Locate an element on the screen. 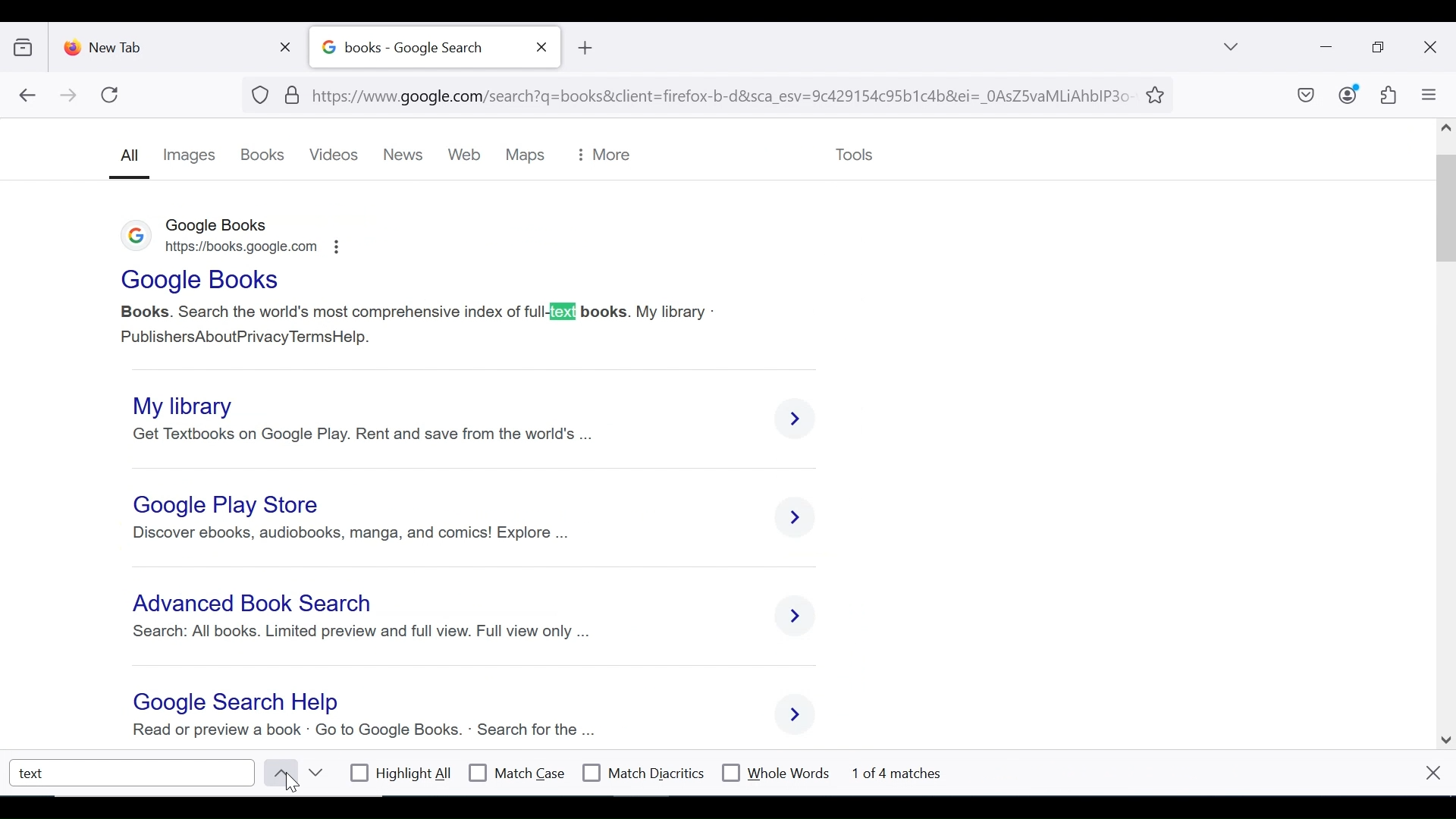 This screenshot has width=1456, height=819. open application menu is located at coordinates (1428, 95).